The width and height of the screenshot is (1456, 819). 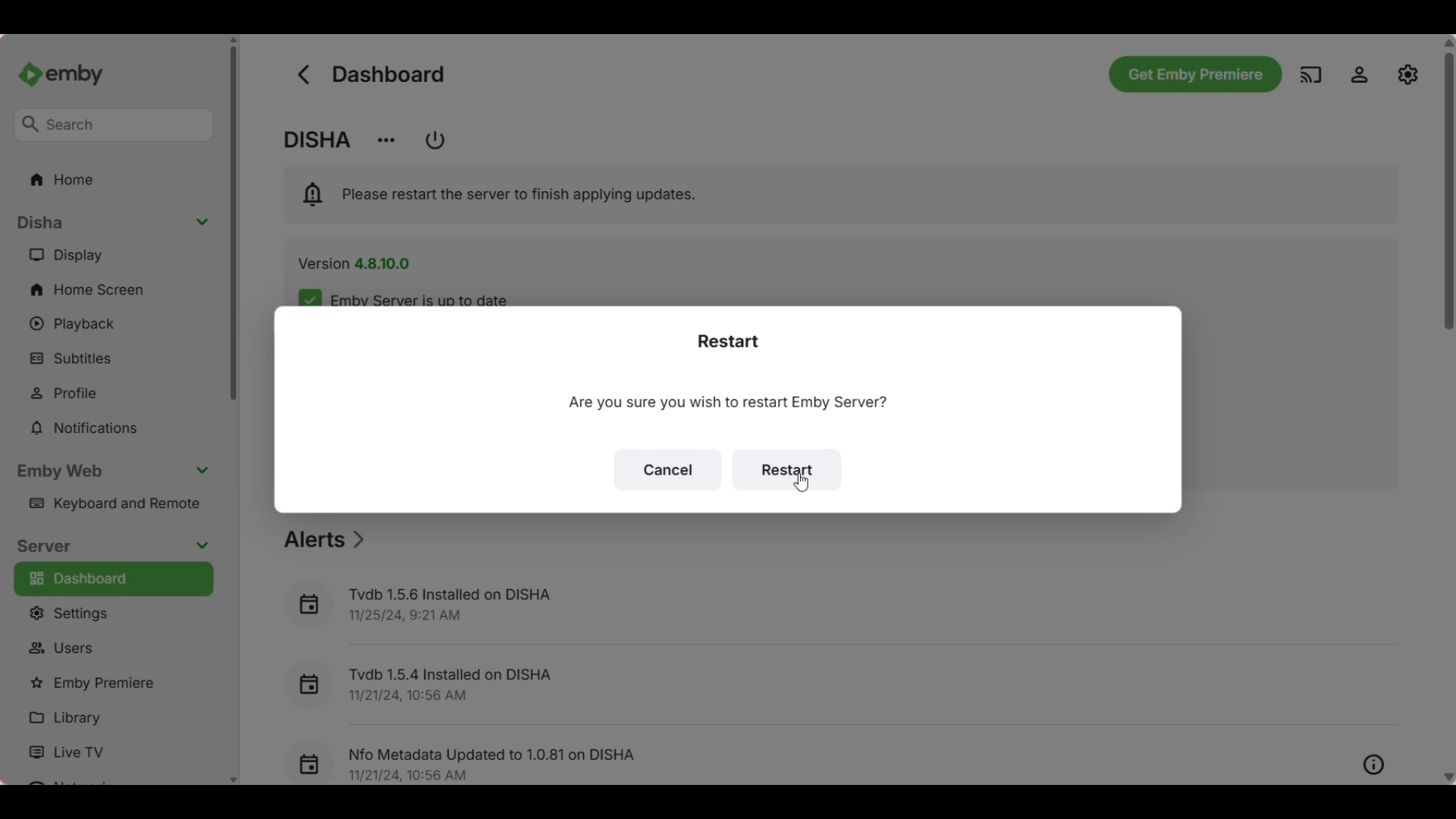 What do you see at coordinates (114, 289) in the screenshot?
I see `Home screen` at bounding box center [114, 289].